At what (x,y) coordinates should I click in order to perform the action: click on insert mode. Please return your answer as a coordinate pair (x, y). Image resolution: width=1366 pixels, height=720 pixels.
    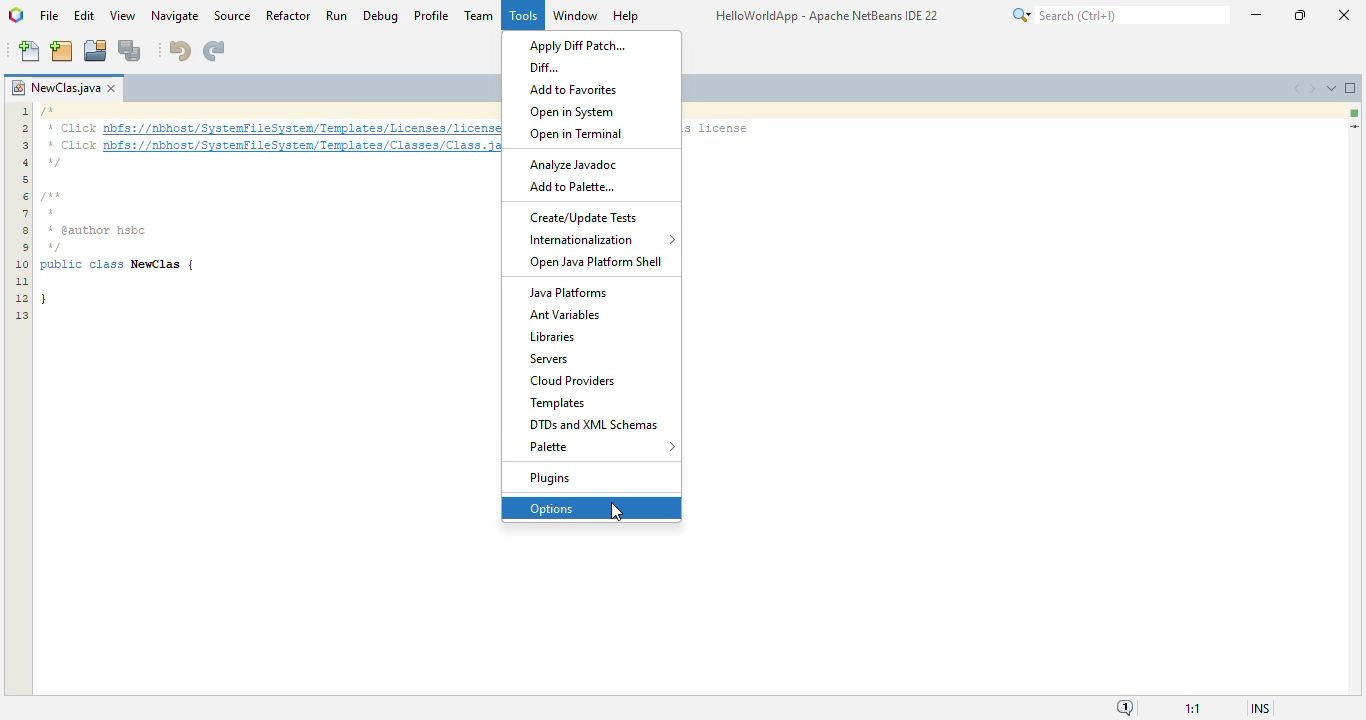
    Looking at the image, I should click on (1259, 708).